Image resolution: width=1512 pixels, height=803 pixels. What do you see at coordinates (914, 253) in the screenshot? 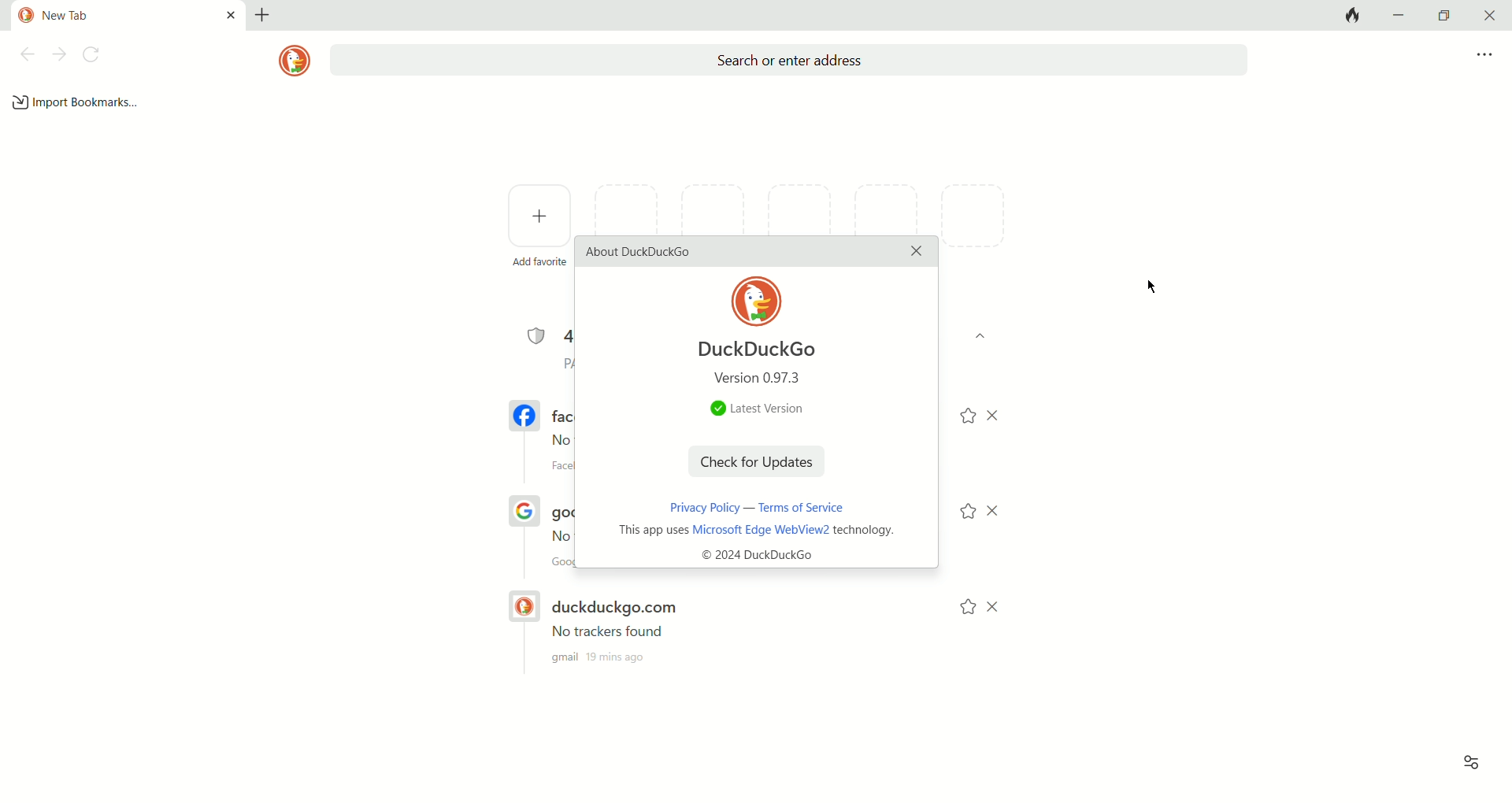
I see `close` at bounding box center [914, 253].